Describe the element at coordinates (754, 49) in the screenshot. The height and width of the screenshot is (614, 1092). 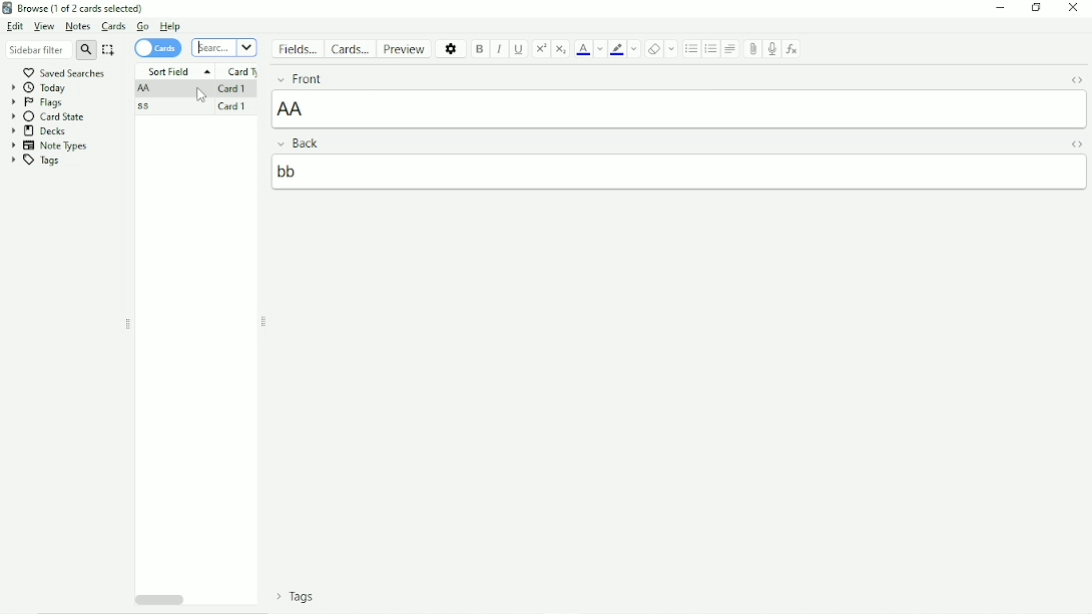
I see `Attach picture/audio/video` at that location.